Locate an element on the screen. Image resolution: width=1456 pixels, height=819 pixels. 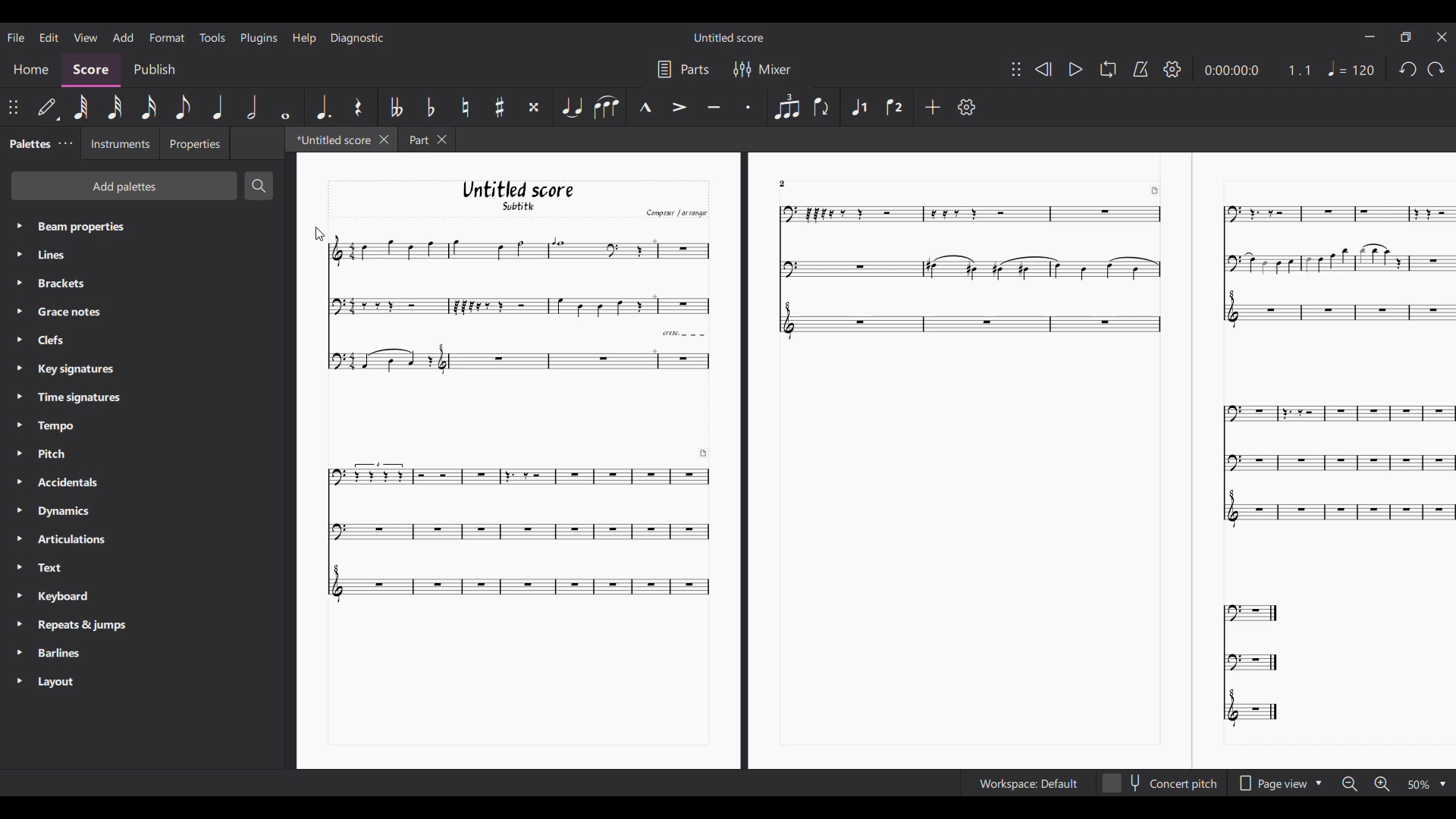
 is located at coordinates (969, 268).